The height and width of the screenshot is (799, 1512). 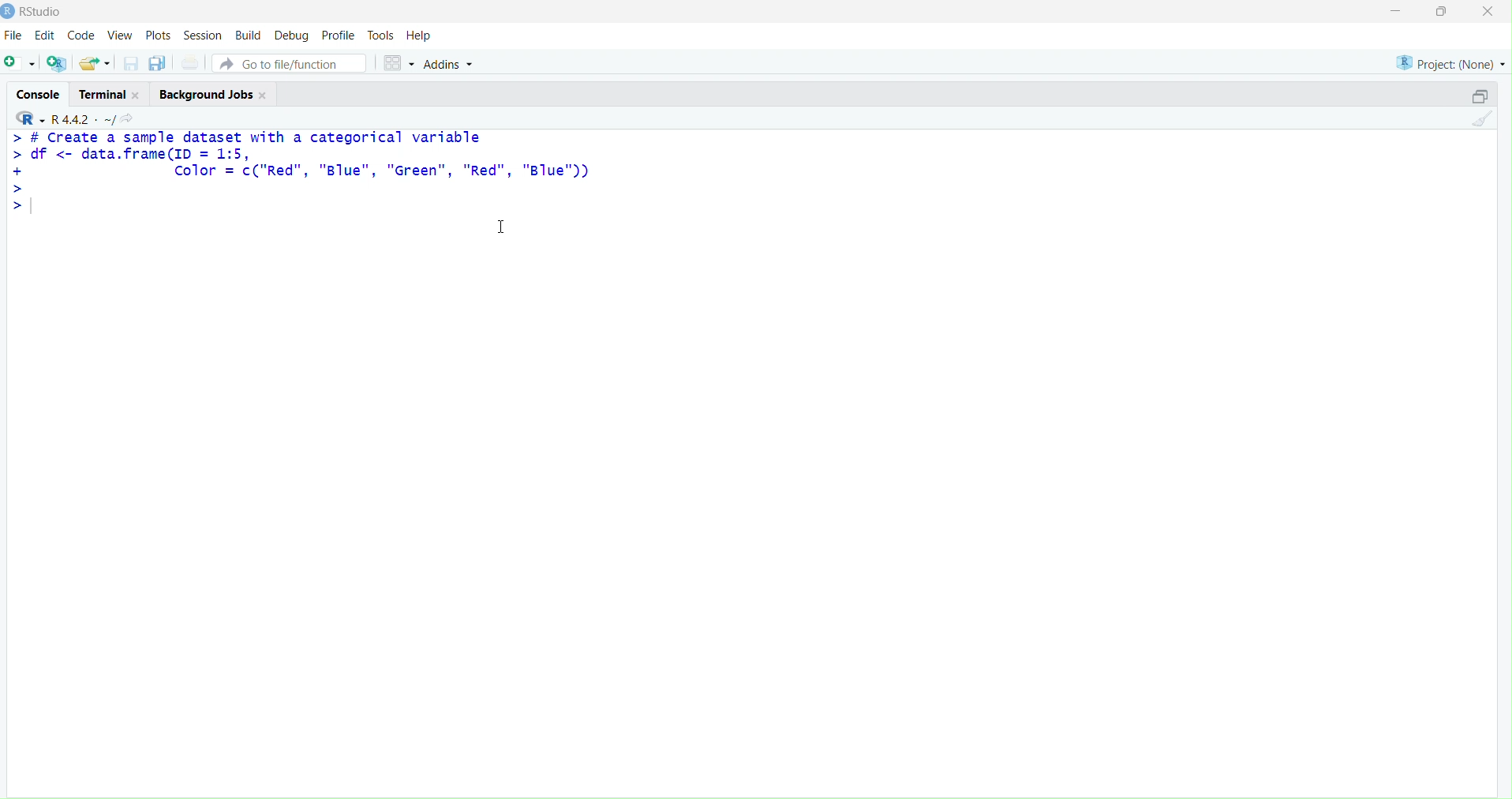 I want to click on close, so click(x=1488, y=10).